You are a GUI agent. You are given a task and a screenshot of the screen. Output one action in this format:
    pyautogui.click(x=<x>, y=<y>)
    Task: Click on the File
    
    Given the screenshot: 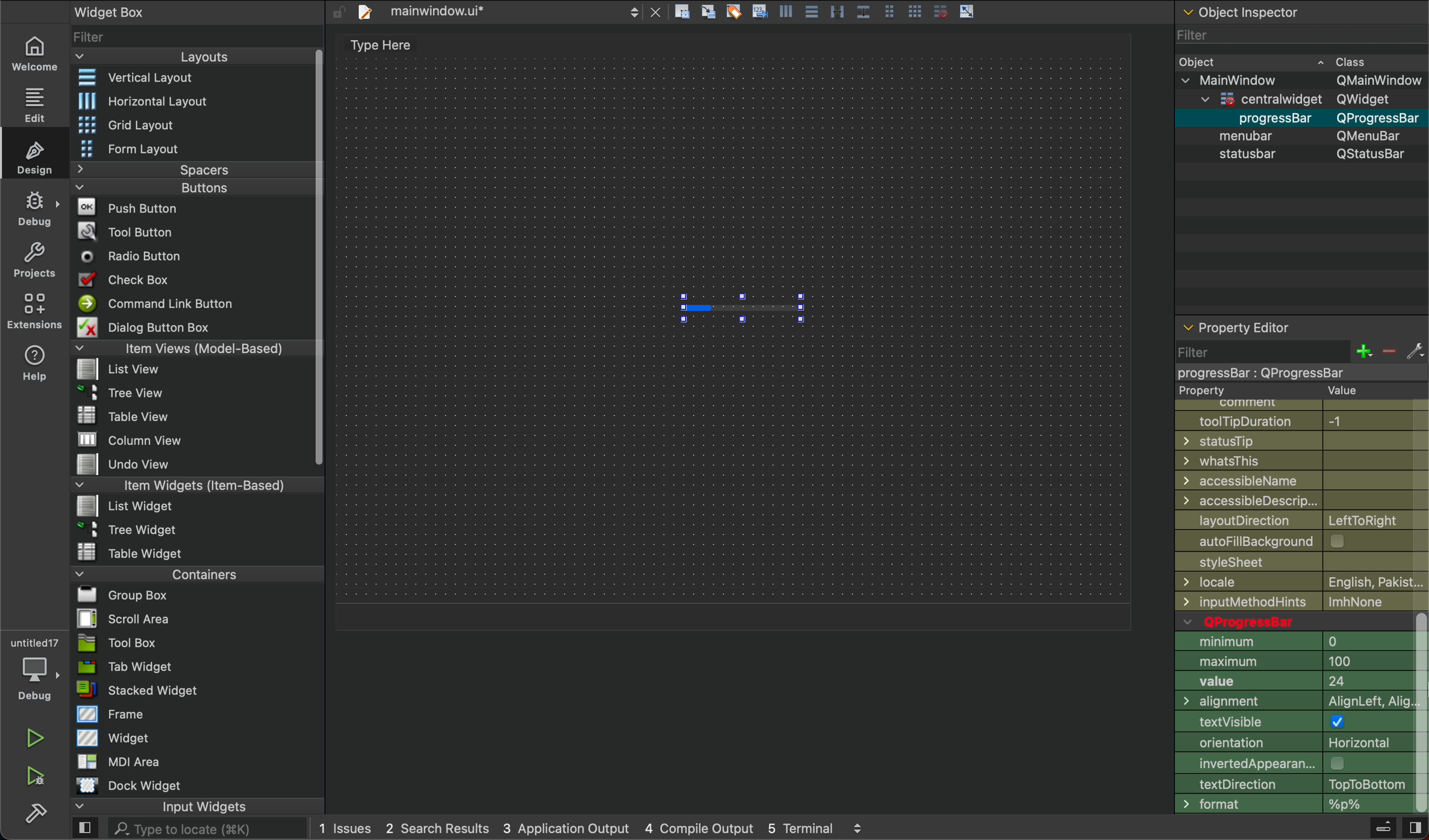 What is the action you would take?
    pyautogui.click(x=132, y=551)
    